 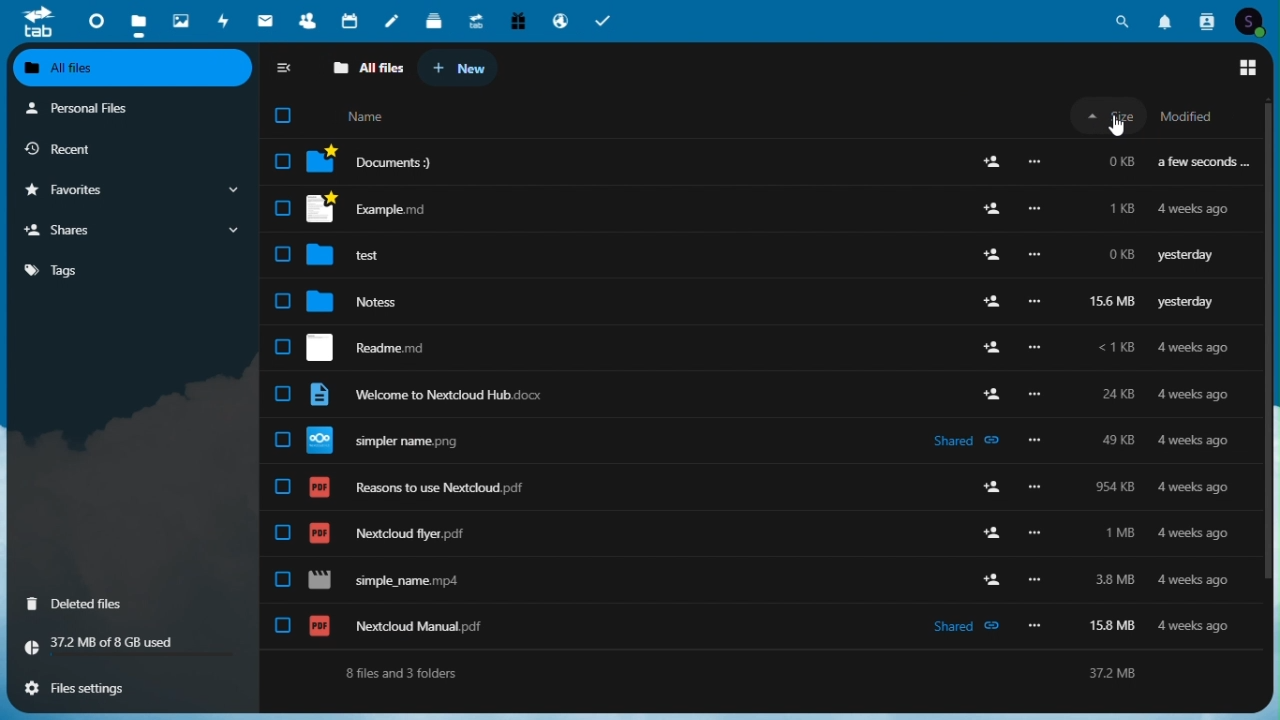 I want to click on name, so click(x=371, y=115).